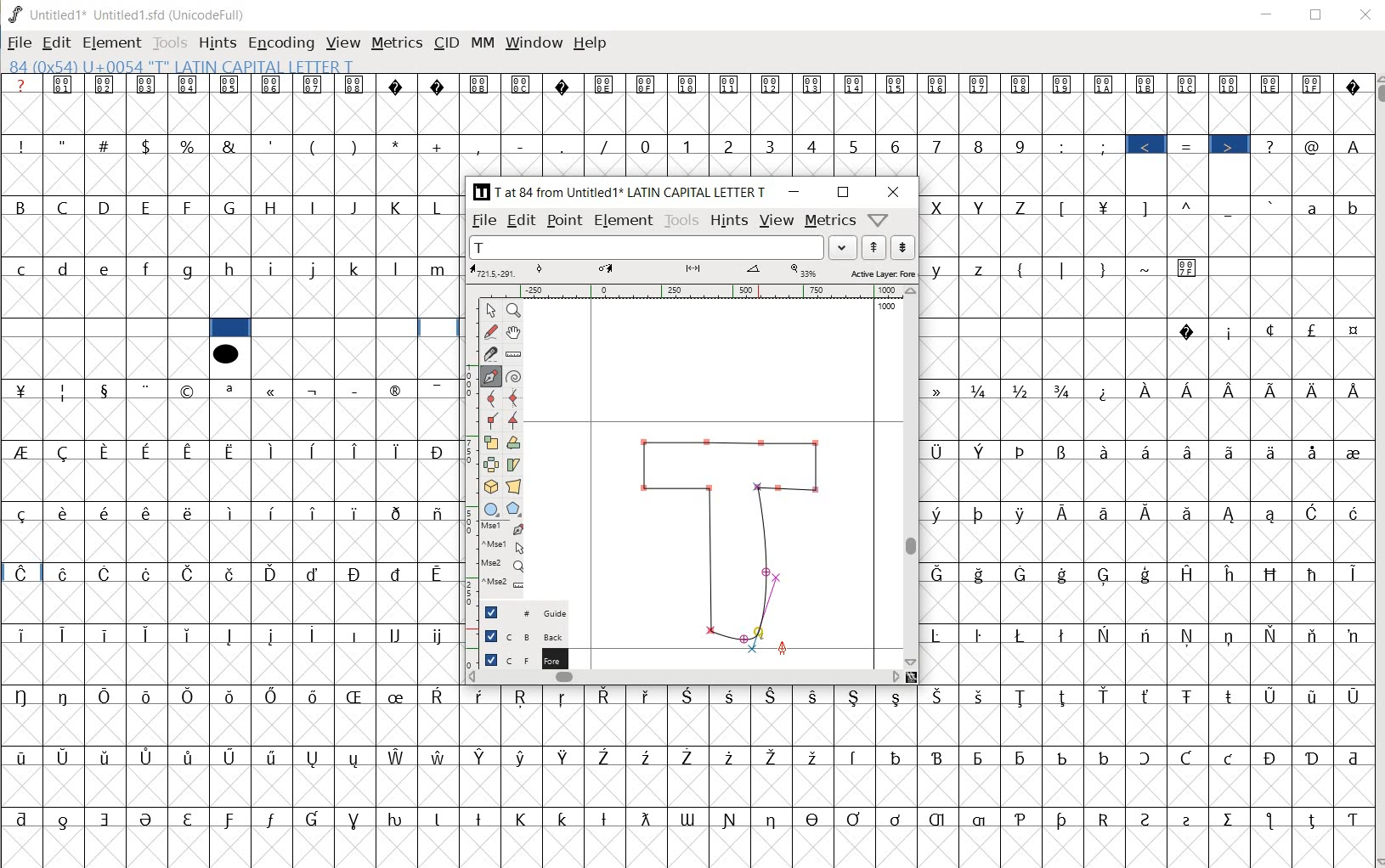  Describe the element at coordinates (688, 291) in the screenshot. I see `ruler` at that location.